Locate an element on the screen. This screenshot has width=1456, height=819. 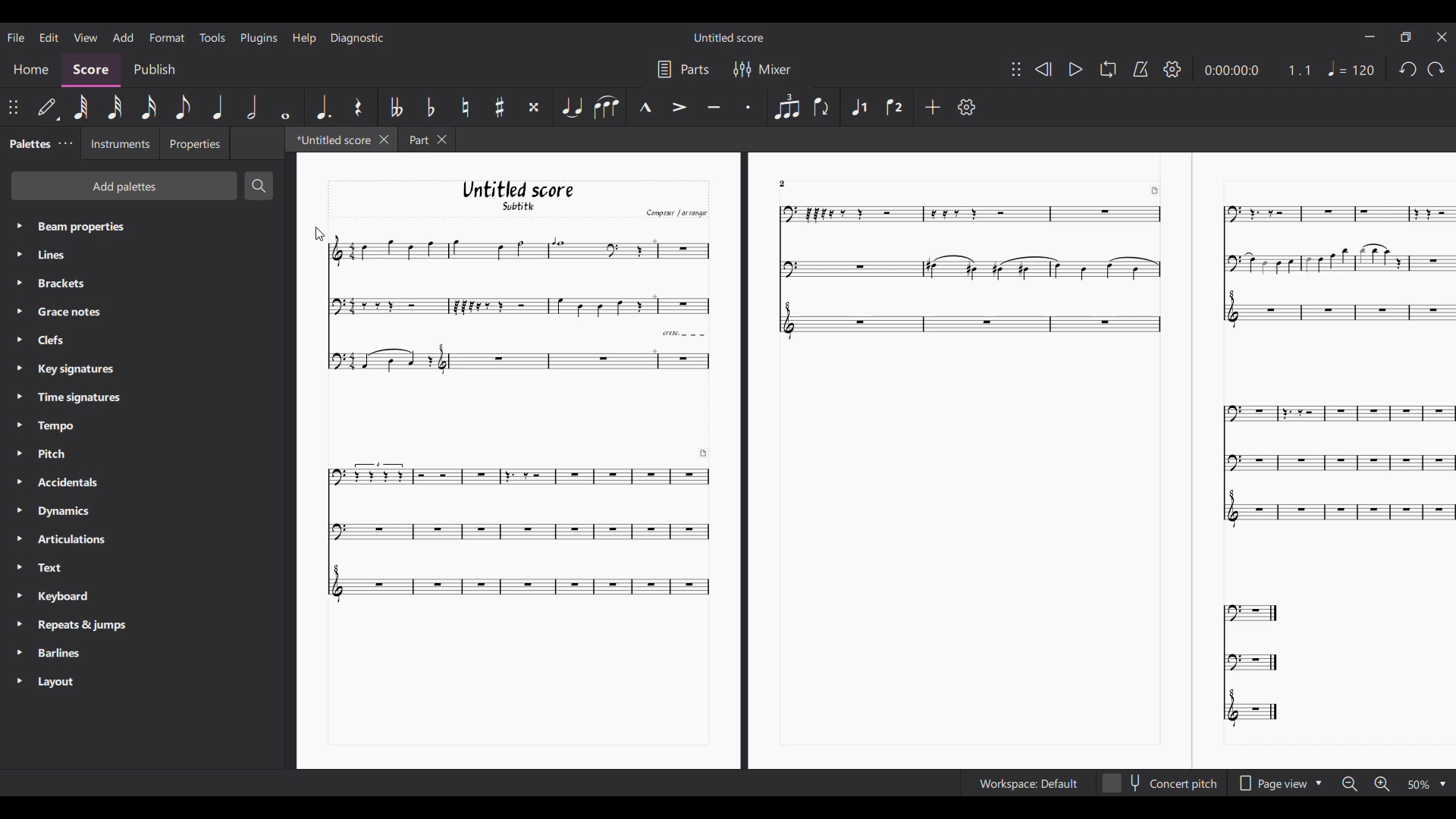
Score  is located at coordinates (92, 71).